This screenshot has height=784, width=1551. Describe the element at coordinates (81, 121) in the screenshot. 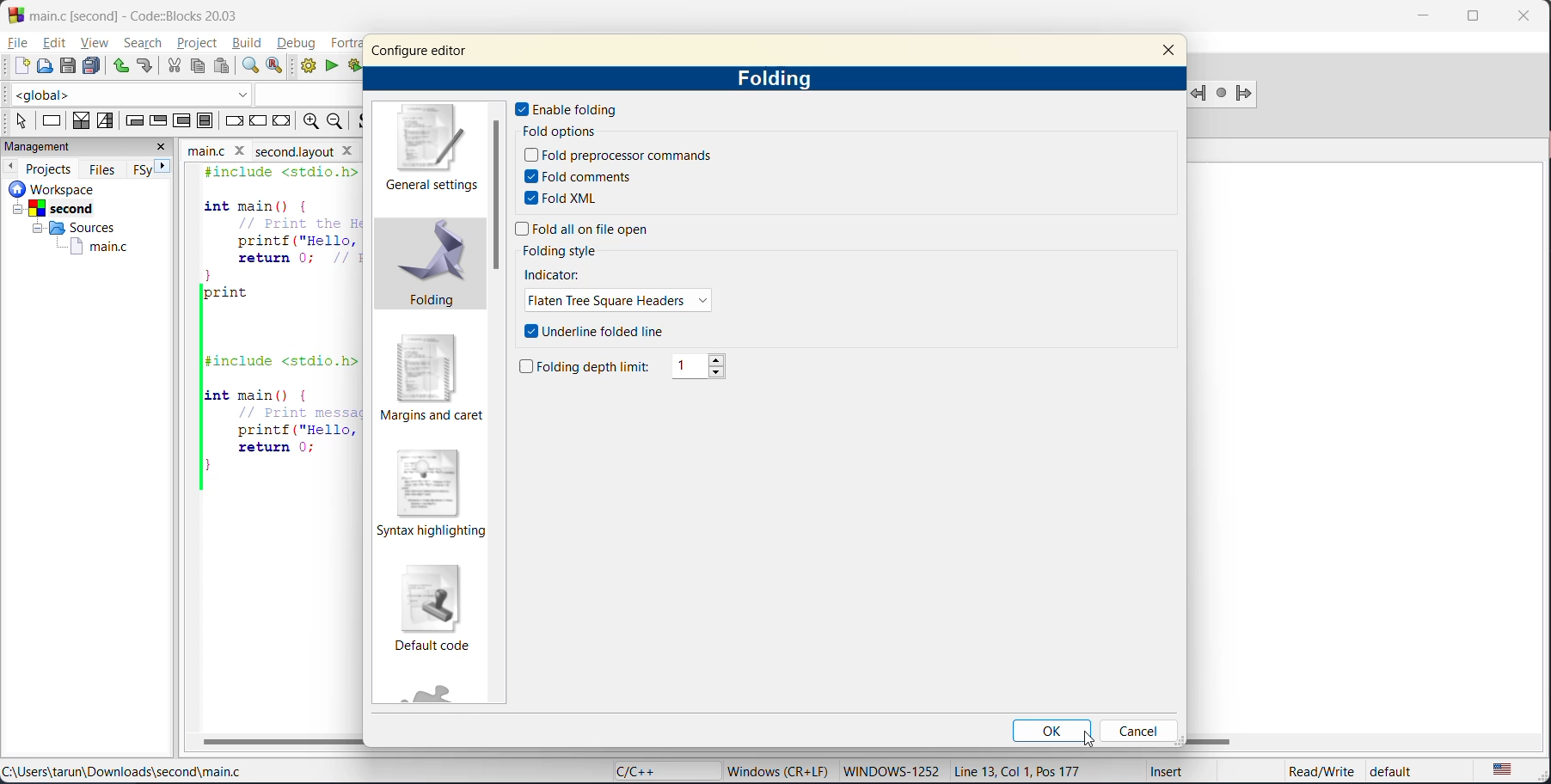

I see `decision` at that location.